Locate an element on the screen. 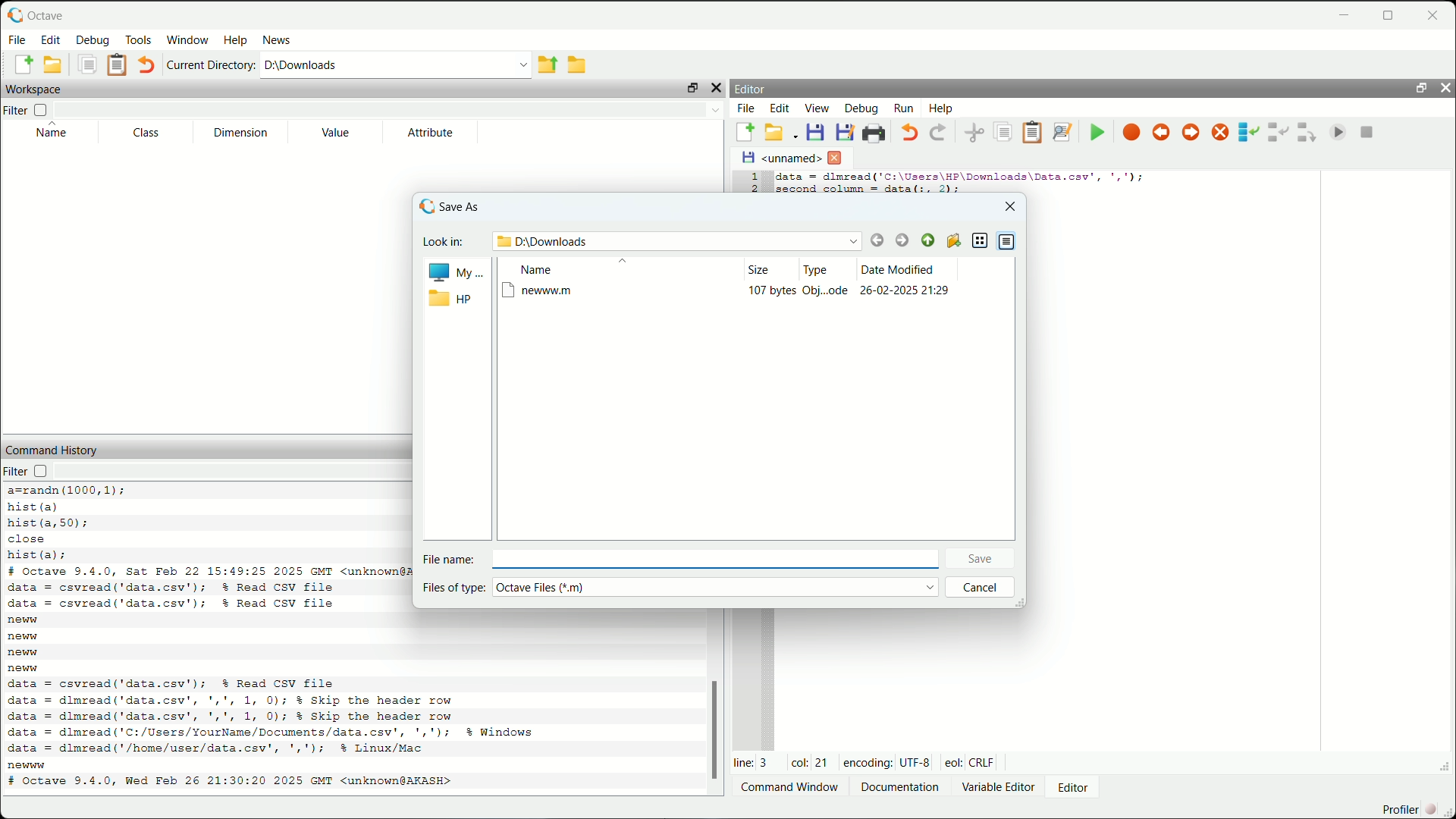 The height and width of the screenshot is (819, 1456). debug is located at coordinates (95, 41).